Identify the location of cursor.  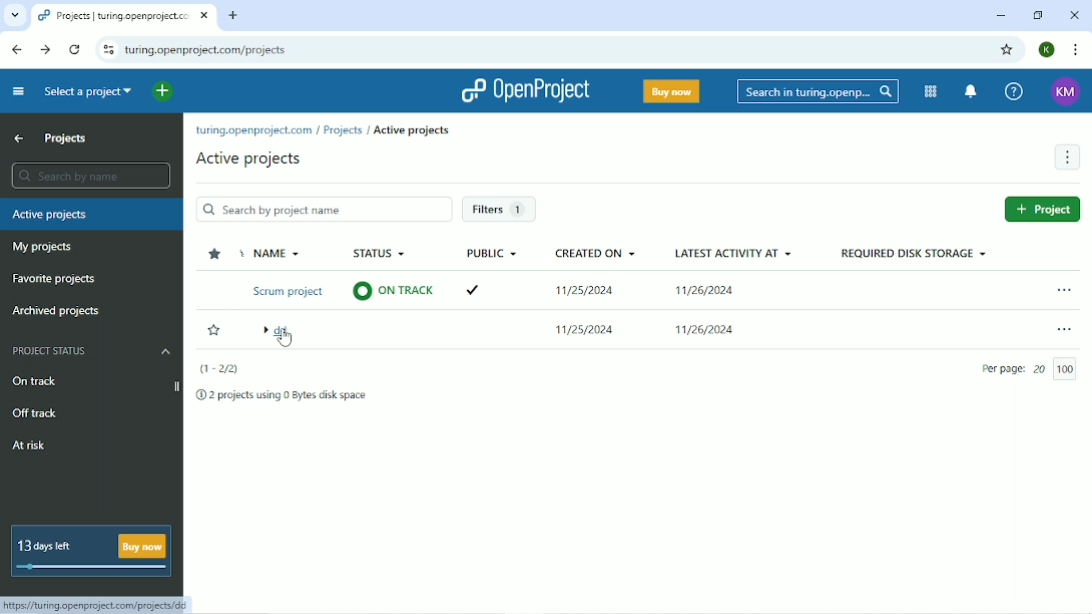
(284, 339).